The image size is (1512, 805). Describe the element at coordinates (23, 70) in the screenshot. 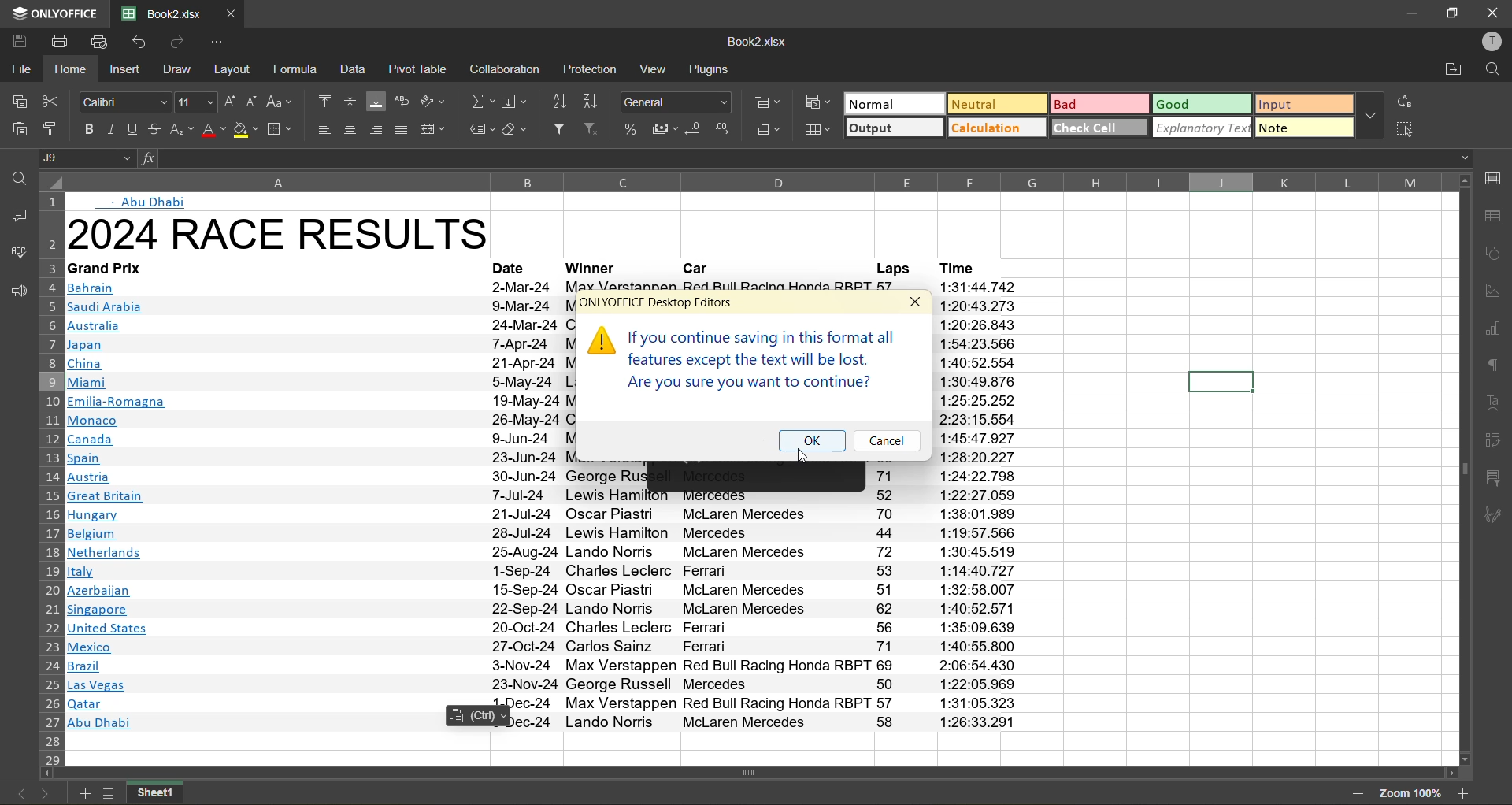

I see `file` at that location.